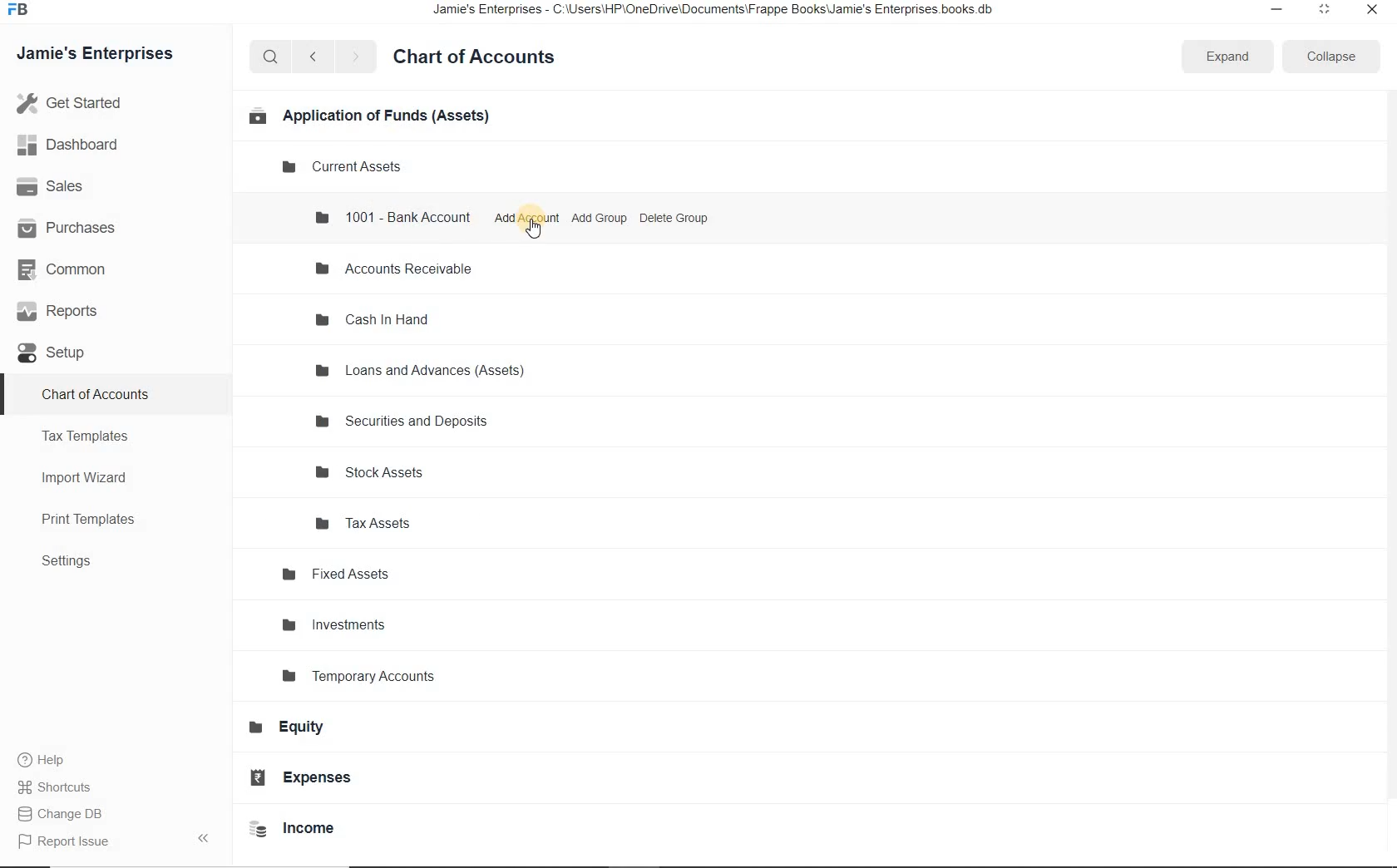 Image resolution: width=1397 pixels, height=868 pixels. What do you see at coordinates (57, 787) in the screenshot?
I see `Shortcuts` at bounding box center [57, 787].